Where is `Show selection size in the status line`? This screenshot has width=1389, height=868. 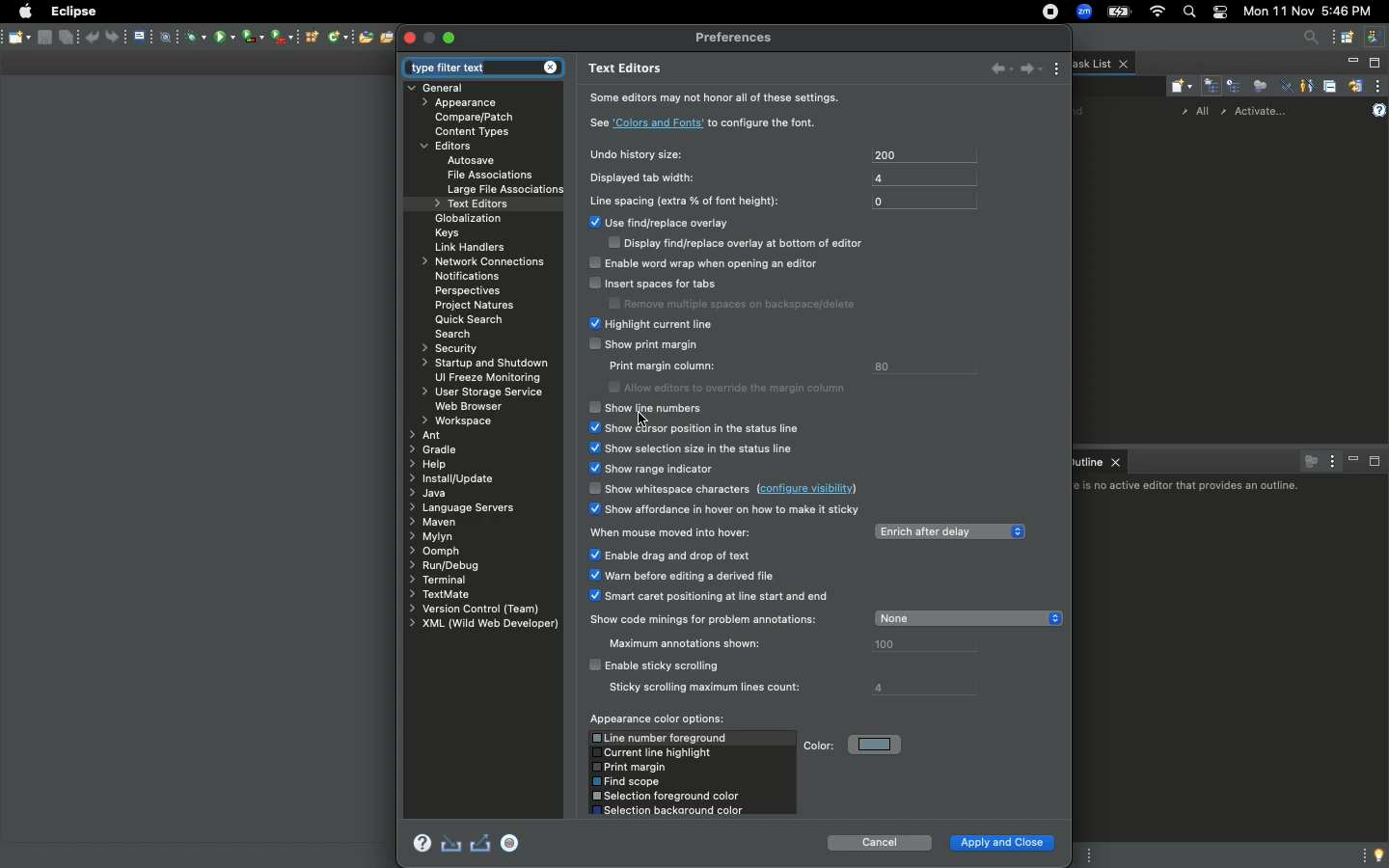 Show selection size in the status line is located at coordinates (694, 448).